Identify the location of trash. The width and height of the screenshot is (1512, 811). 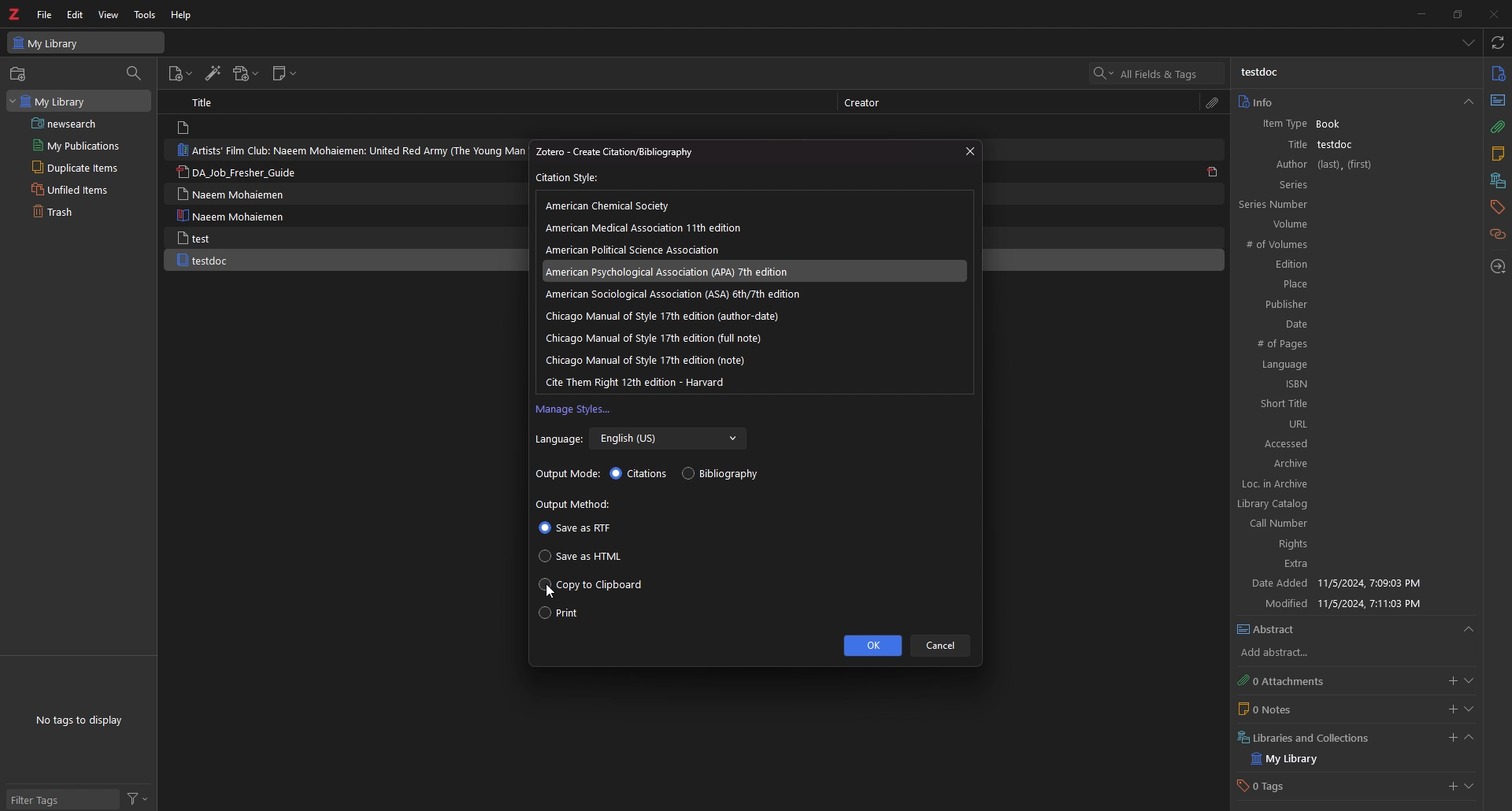
(70, 213).